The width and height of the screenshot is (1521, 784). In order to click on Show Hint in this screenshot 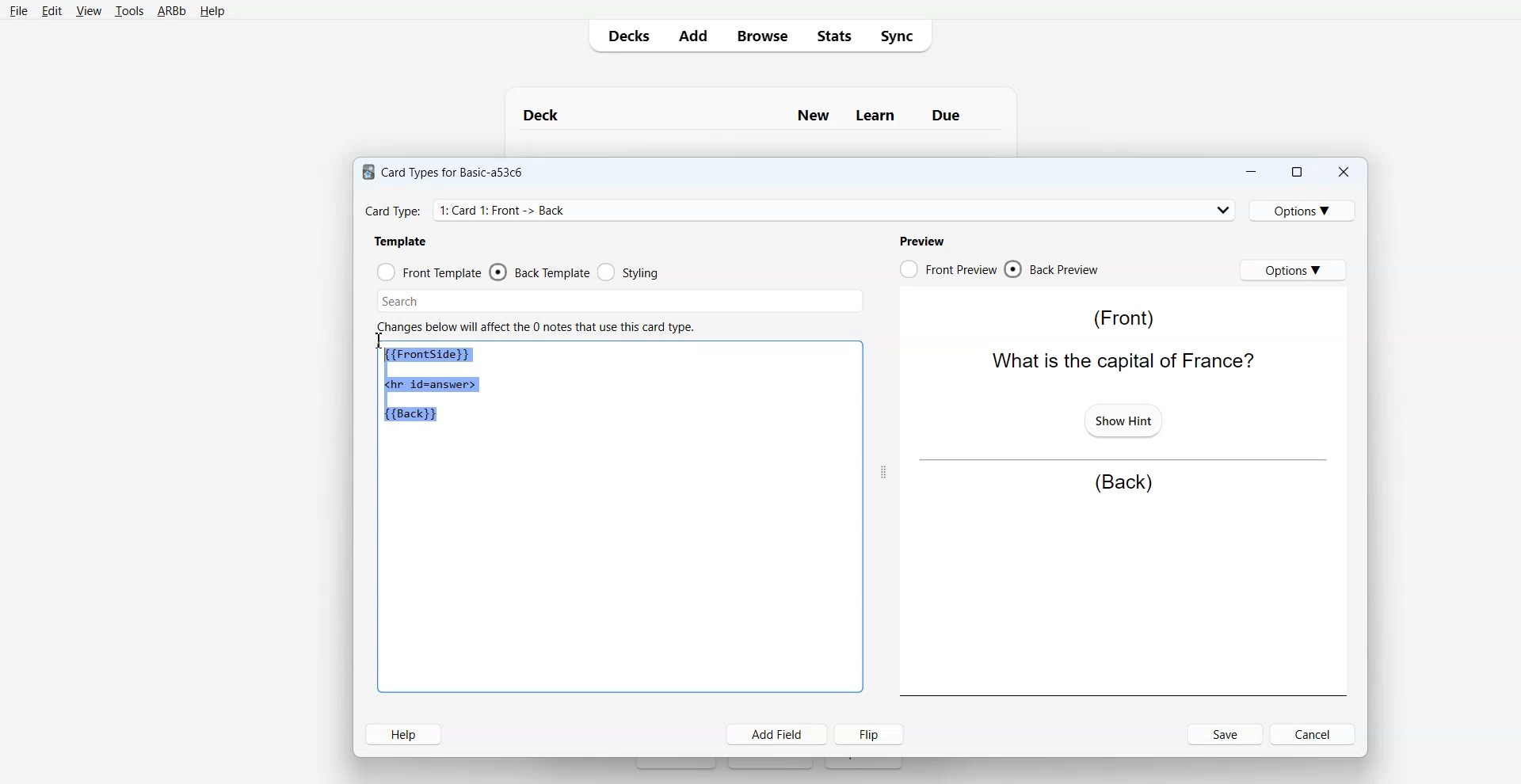, I will do `click(1122, 419)`.